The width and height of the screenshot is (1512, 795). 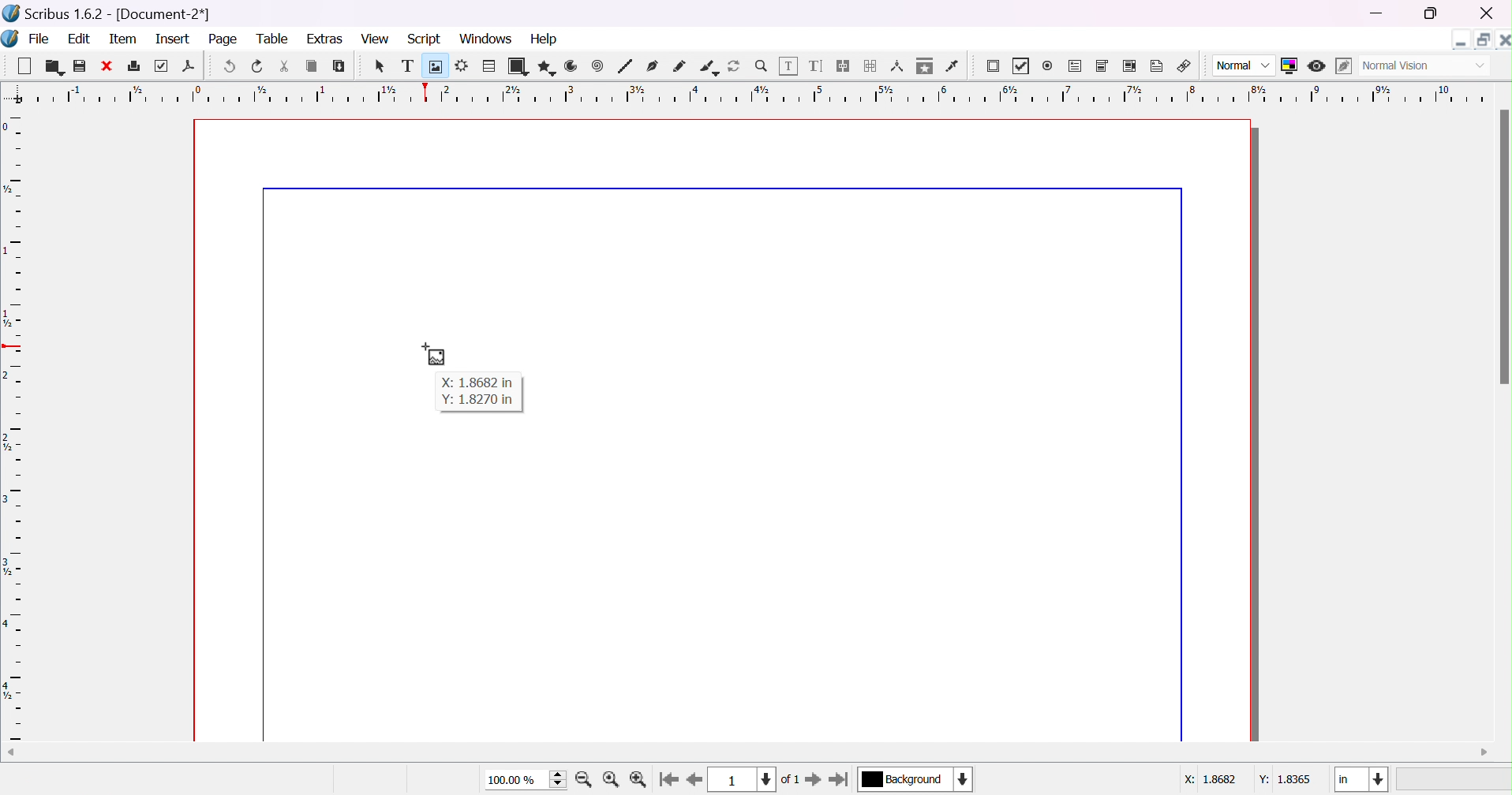 What do you see at coordinates (788, 64) in the screenshot?
I see `edit contents of frame` at bounding box center [788, 64].